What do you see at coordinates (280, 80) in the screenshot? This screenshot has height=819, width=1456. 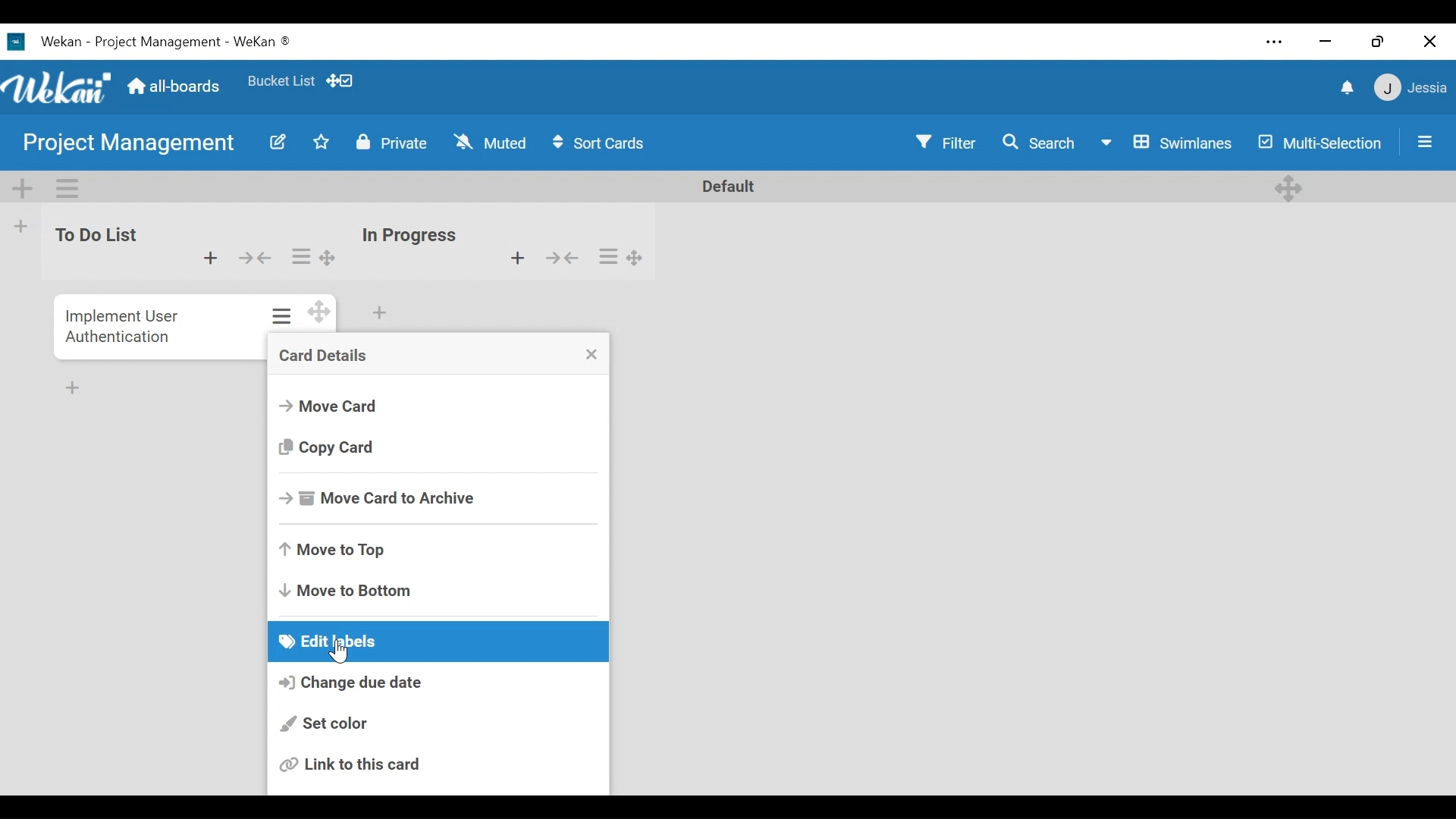 I see `Favorites` at bounding box center [280, 80].